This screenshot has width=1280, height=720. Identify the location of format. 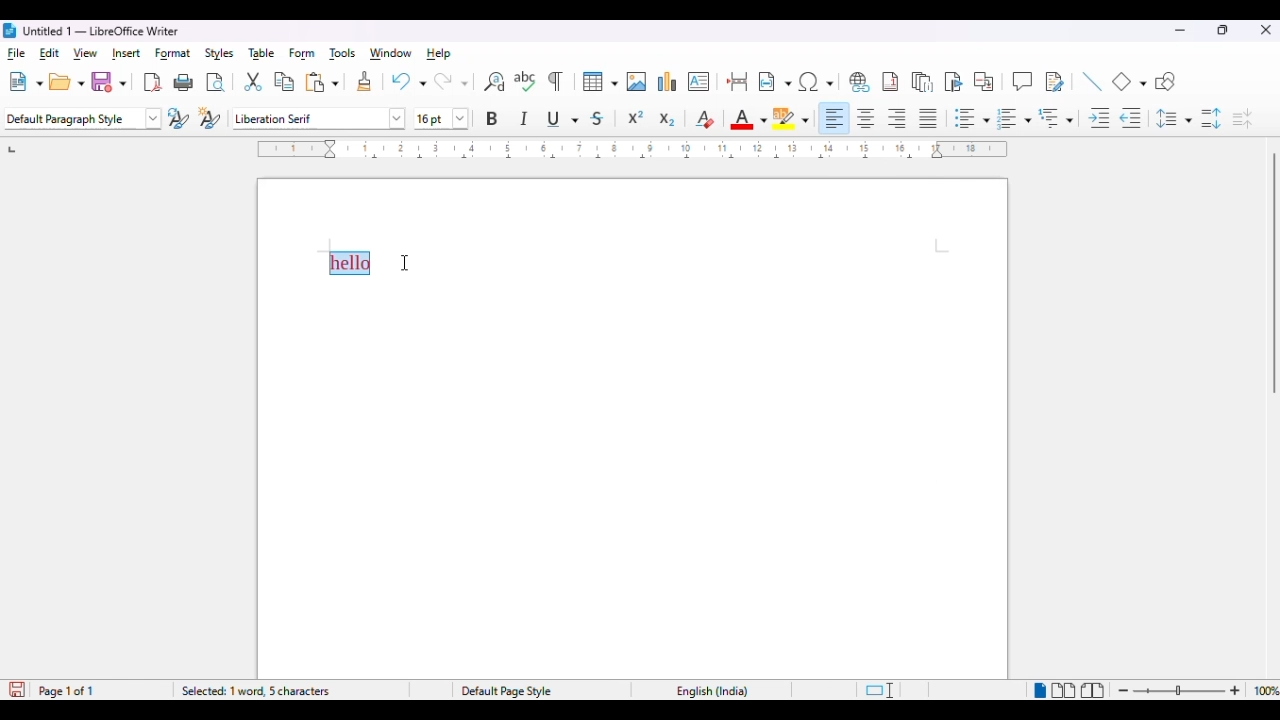
(172, 54).